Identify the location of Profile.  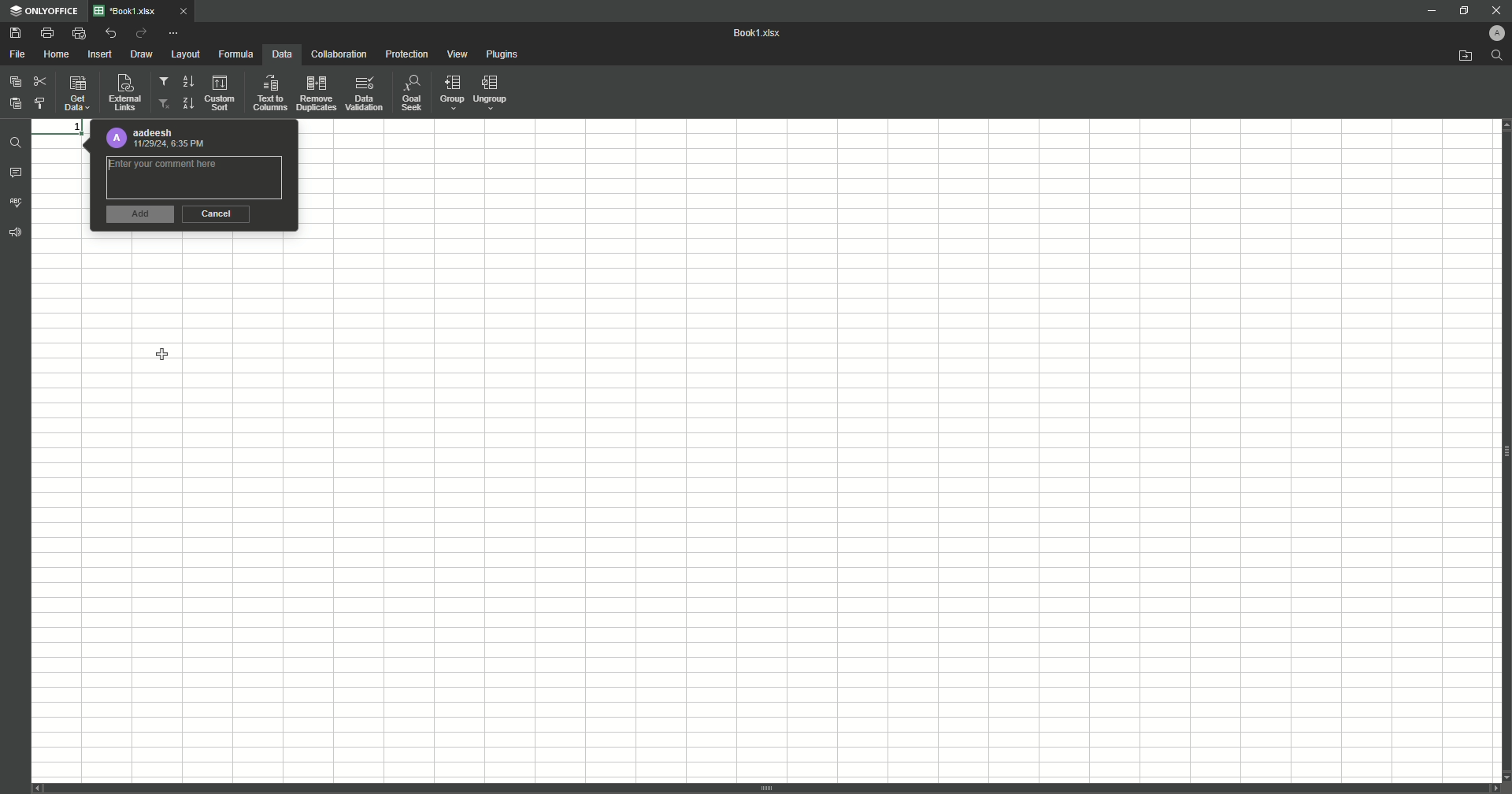
(1491, 33).